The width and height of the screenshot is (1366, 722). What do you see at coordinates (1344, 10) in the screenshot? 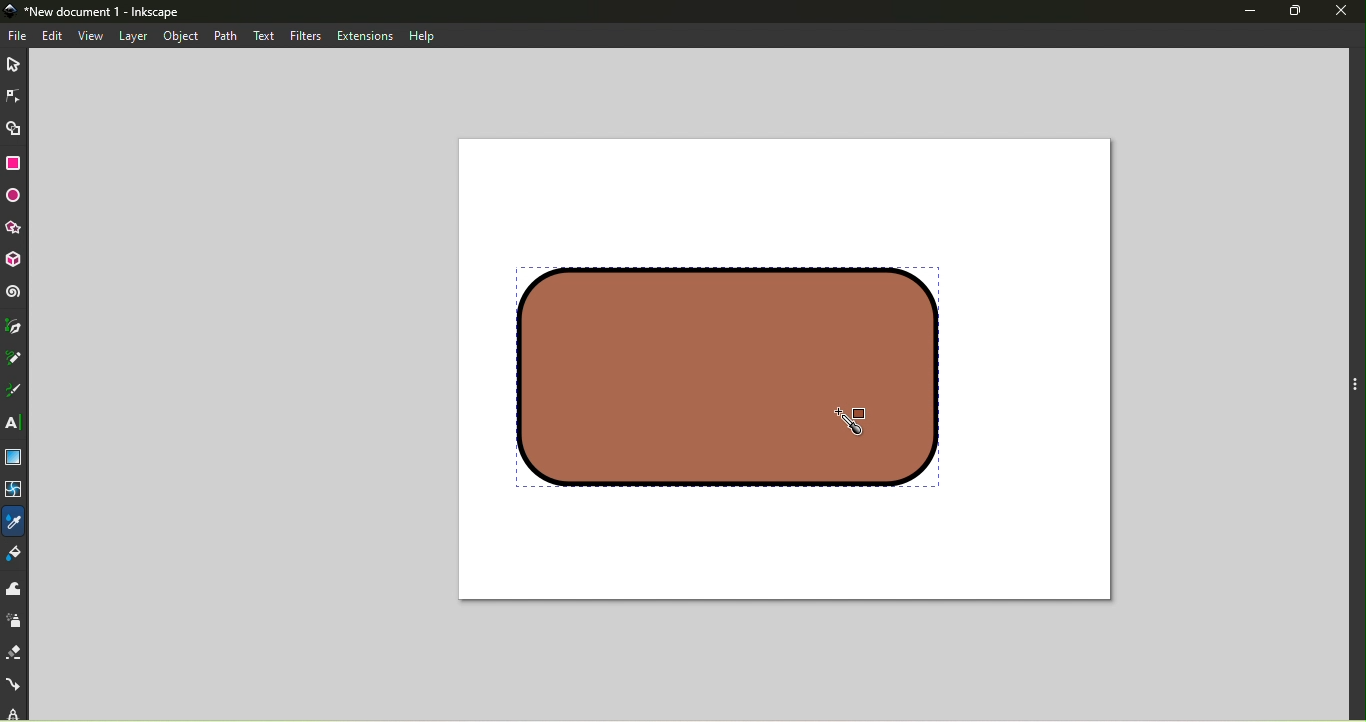
I see `Close` at bounding box center [1344, 10].